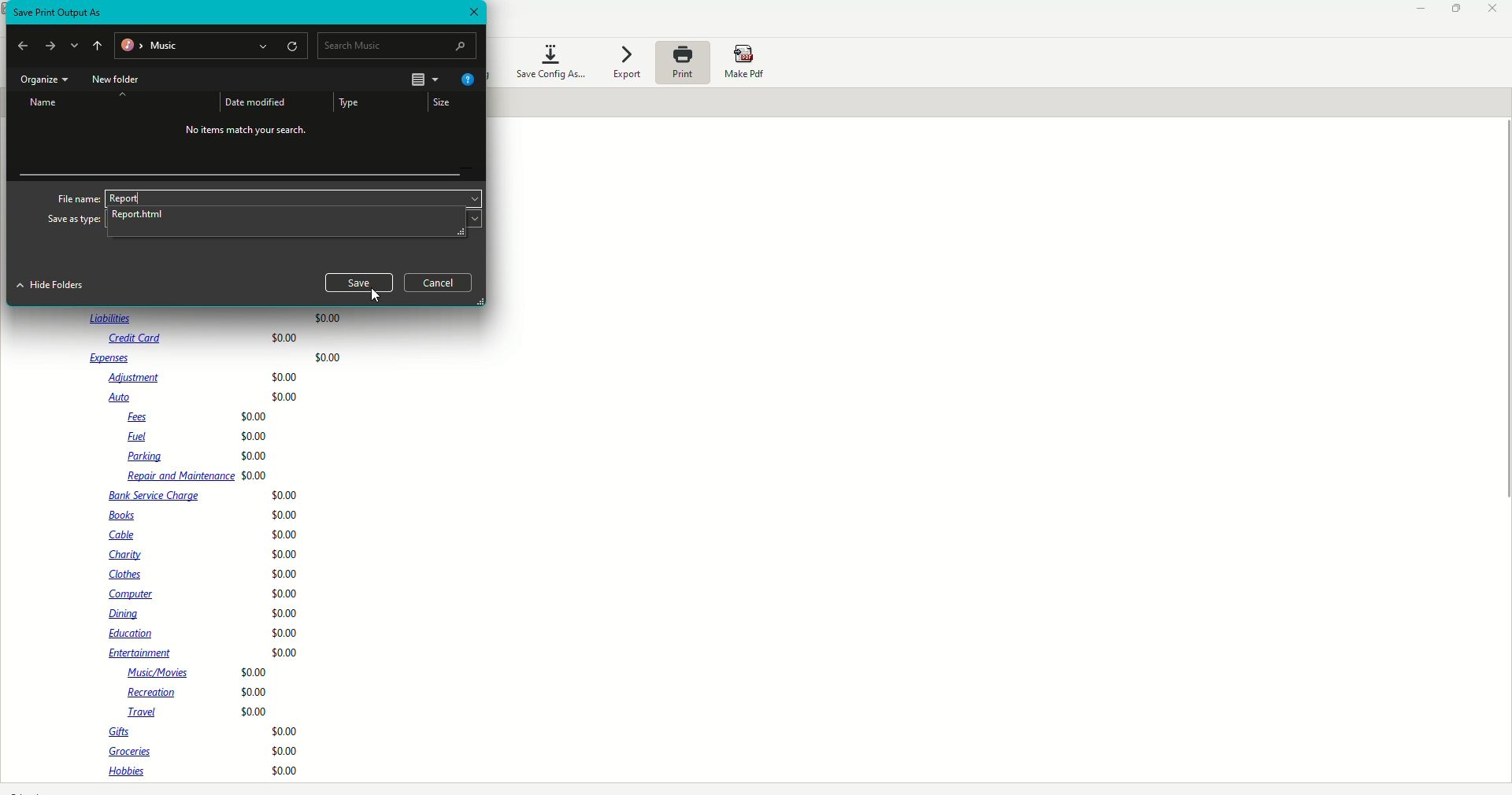 Image resolution: width=1512 pixels, height=795 pixels. I want to click on Close, so click(472, 13).